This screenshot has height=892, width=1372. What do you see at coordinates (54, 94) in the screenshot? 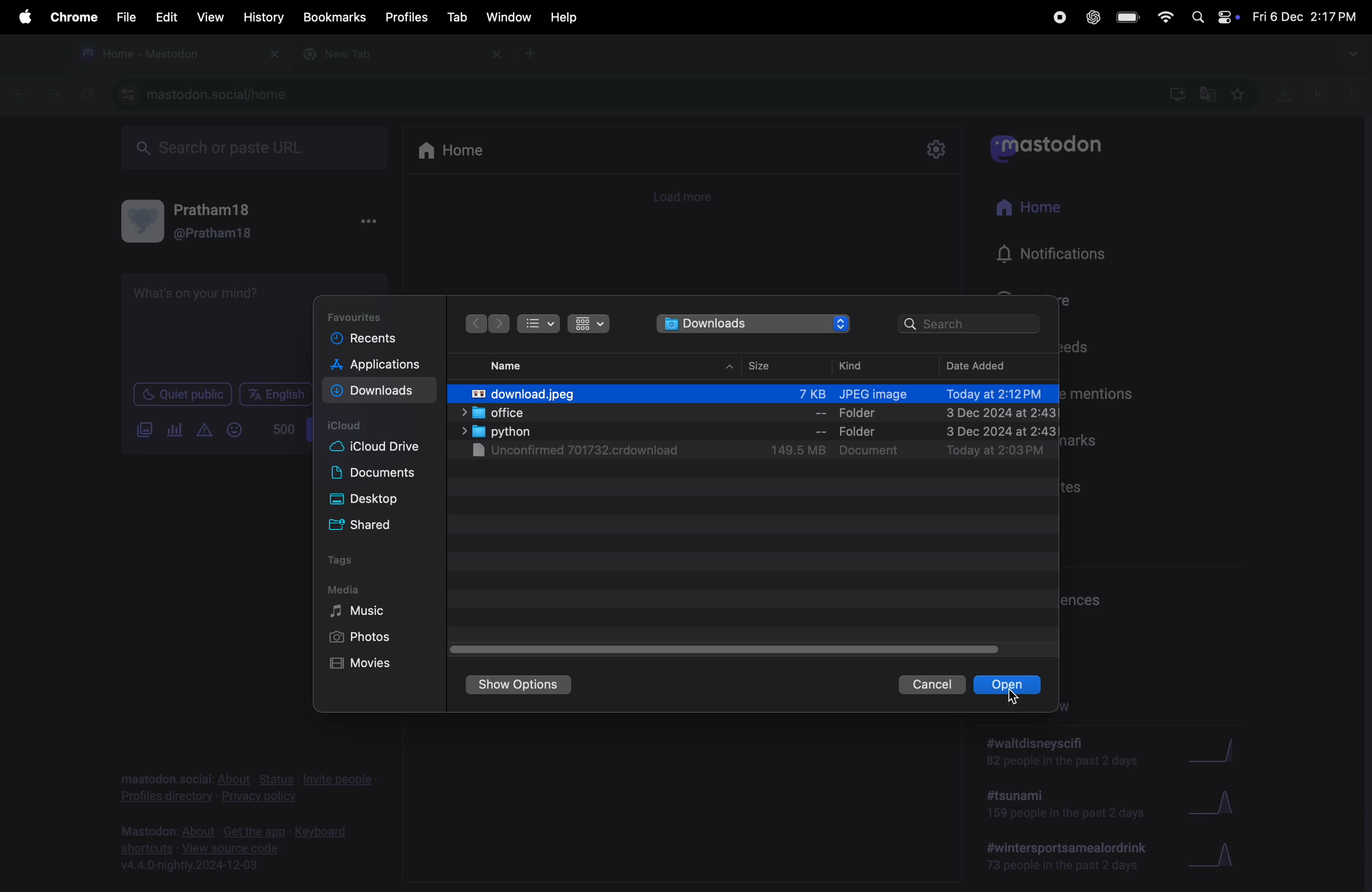
I see `forward` at bounding box center [54, 94].